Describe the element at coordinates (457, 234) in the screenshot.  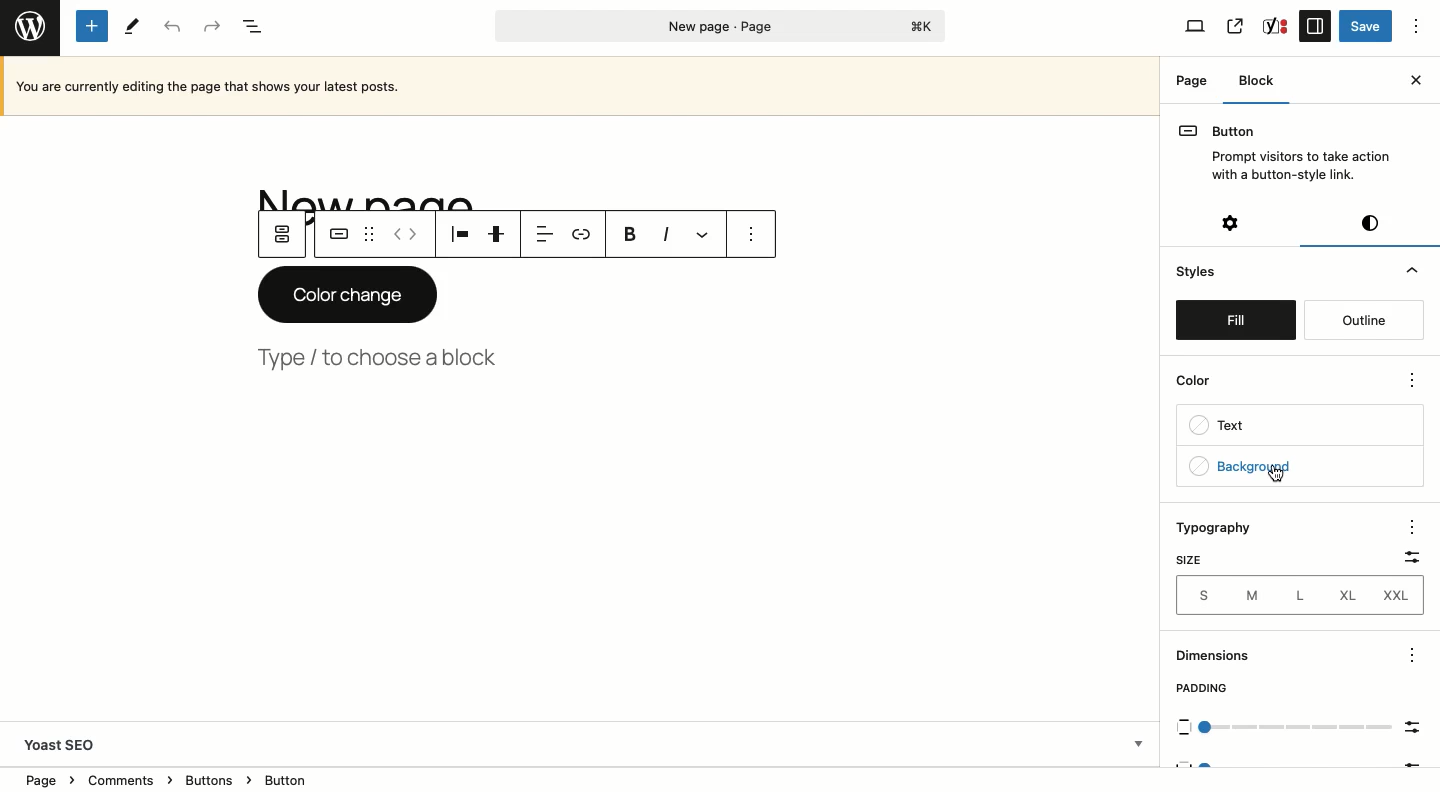
I see `Align` at that location.